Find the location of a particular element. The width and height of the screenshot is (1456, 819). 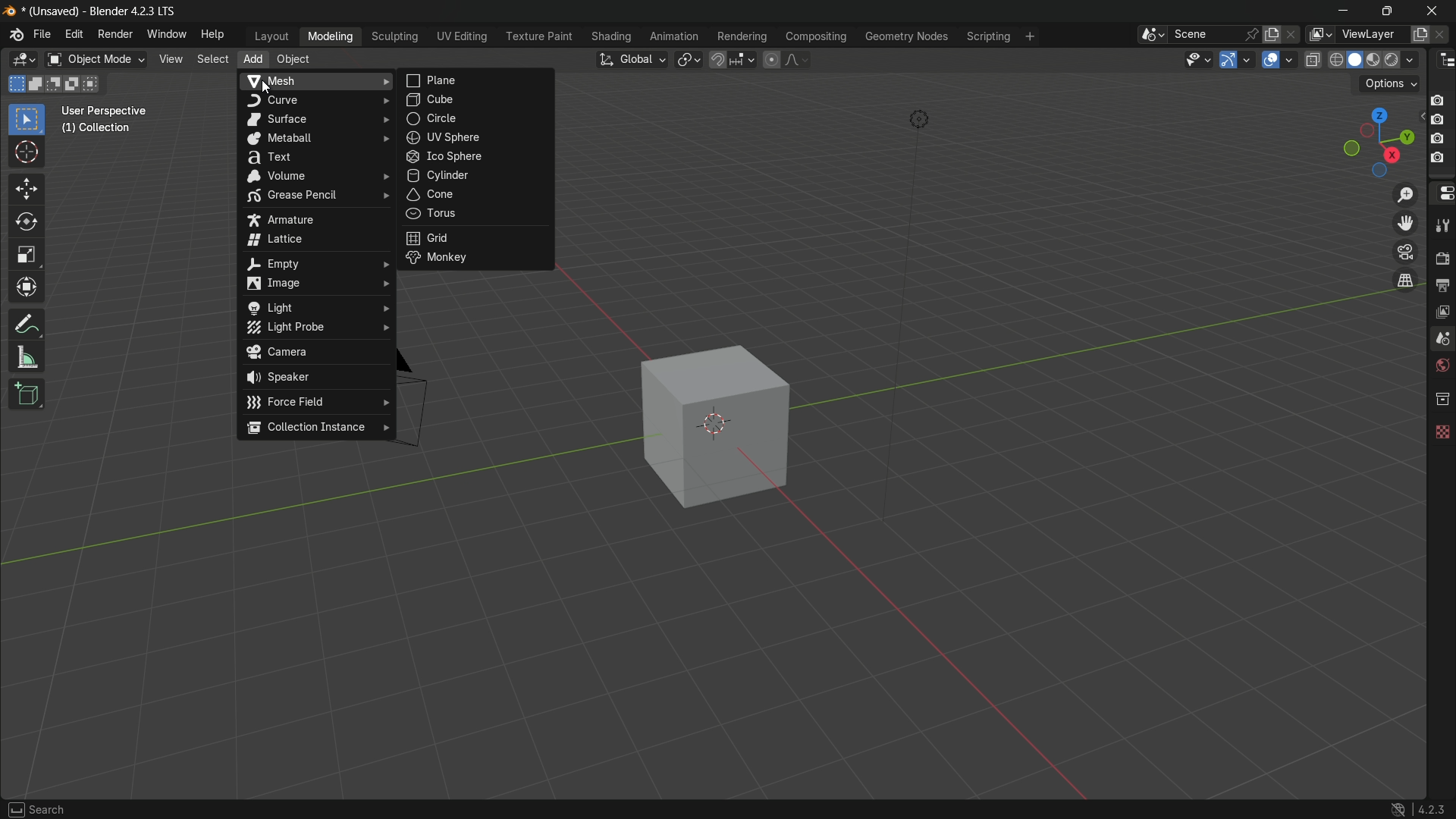

transform pivot table is located at coordinates (690, 60).